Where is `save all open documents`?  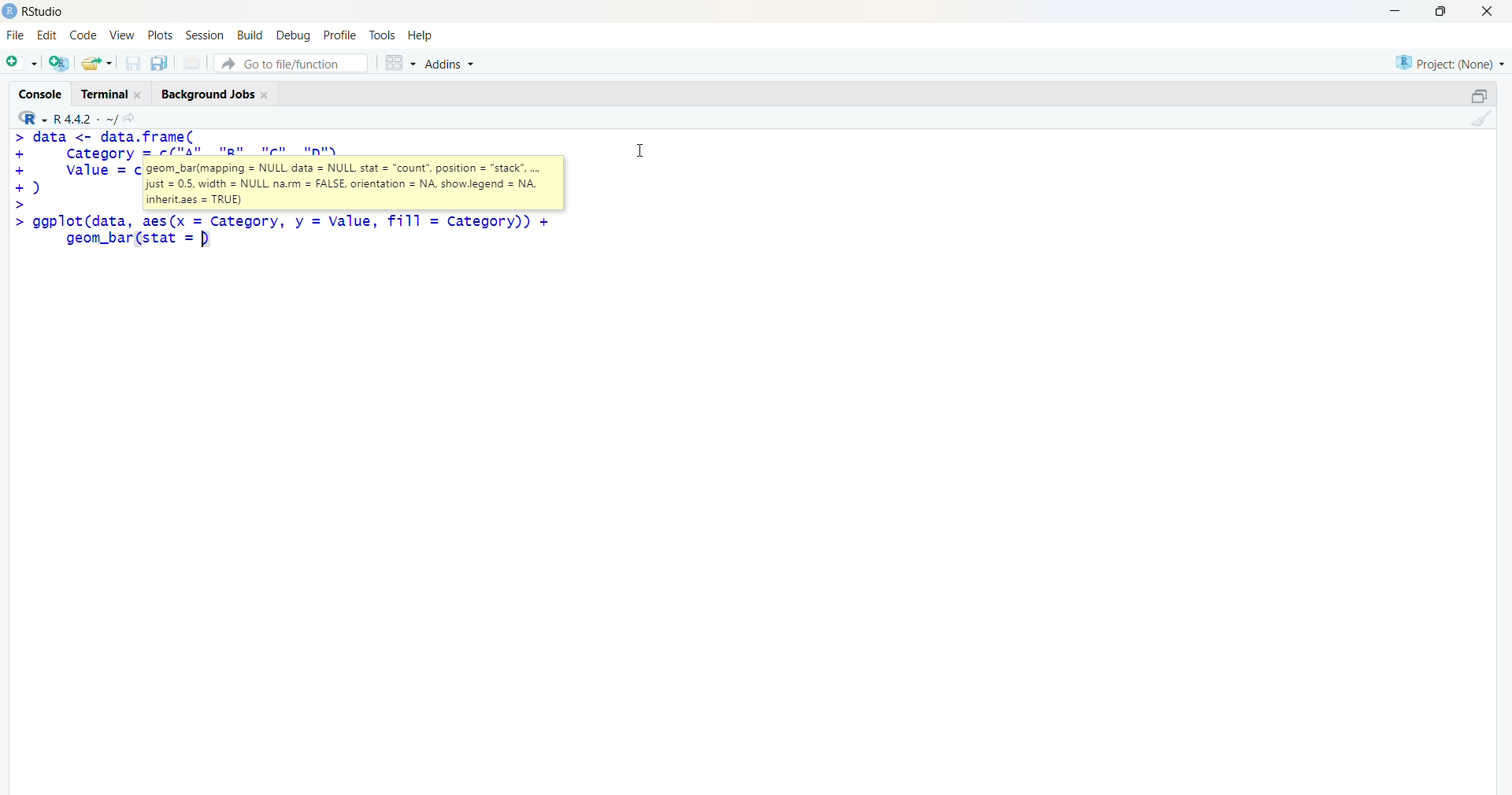
save all open documents is located at coordinates (158, 63).